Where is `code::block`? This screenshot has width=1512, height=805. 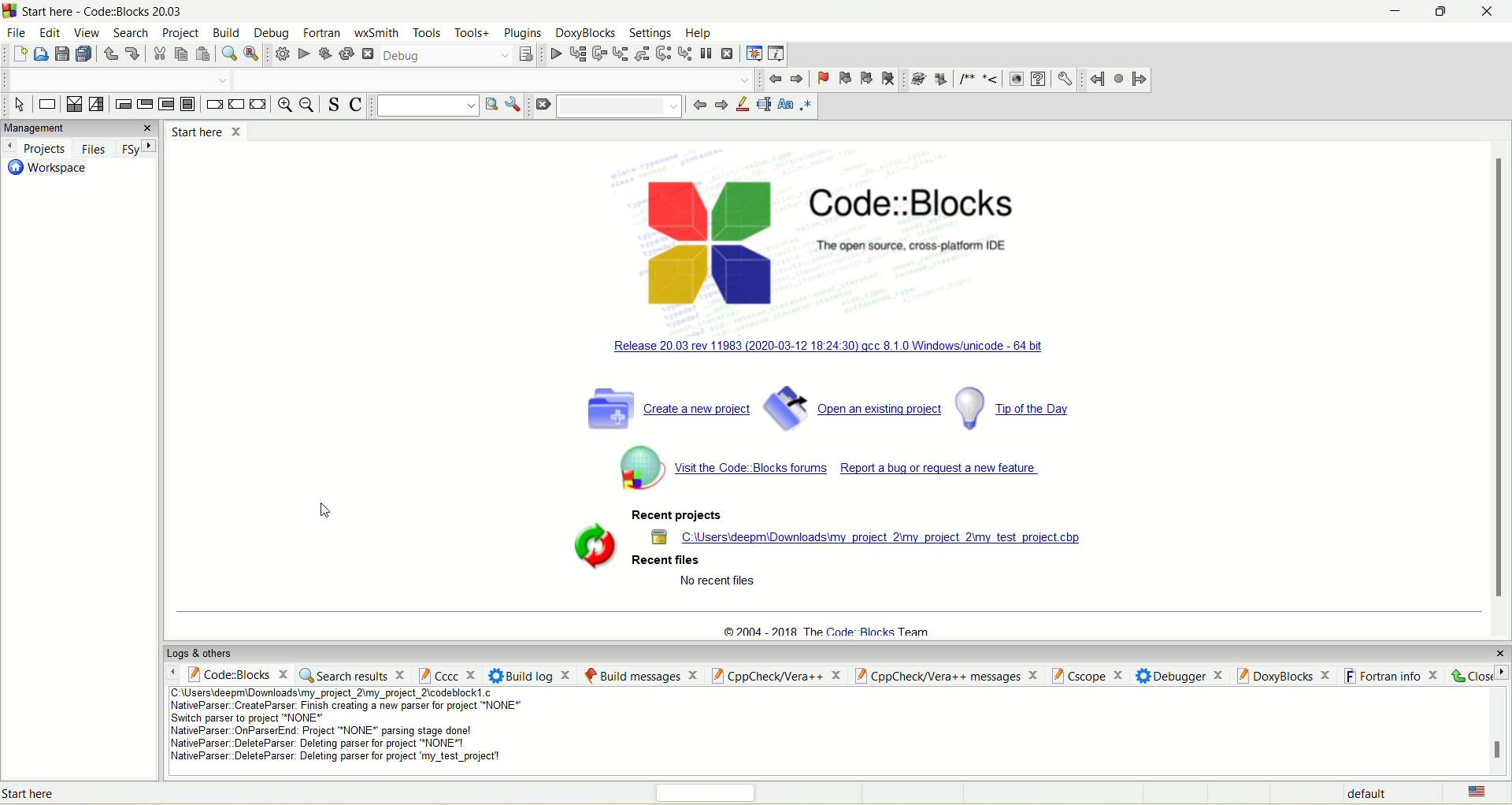 code::block is located at coordinates (105, 11).